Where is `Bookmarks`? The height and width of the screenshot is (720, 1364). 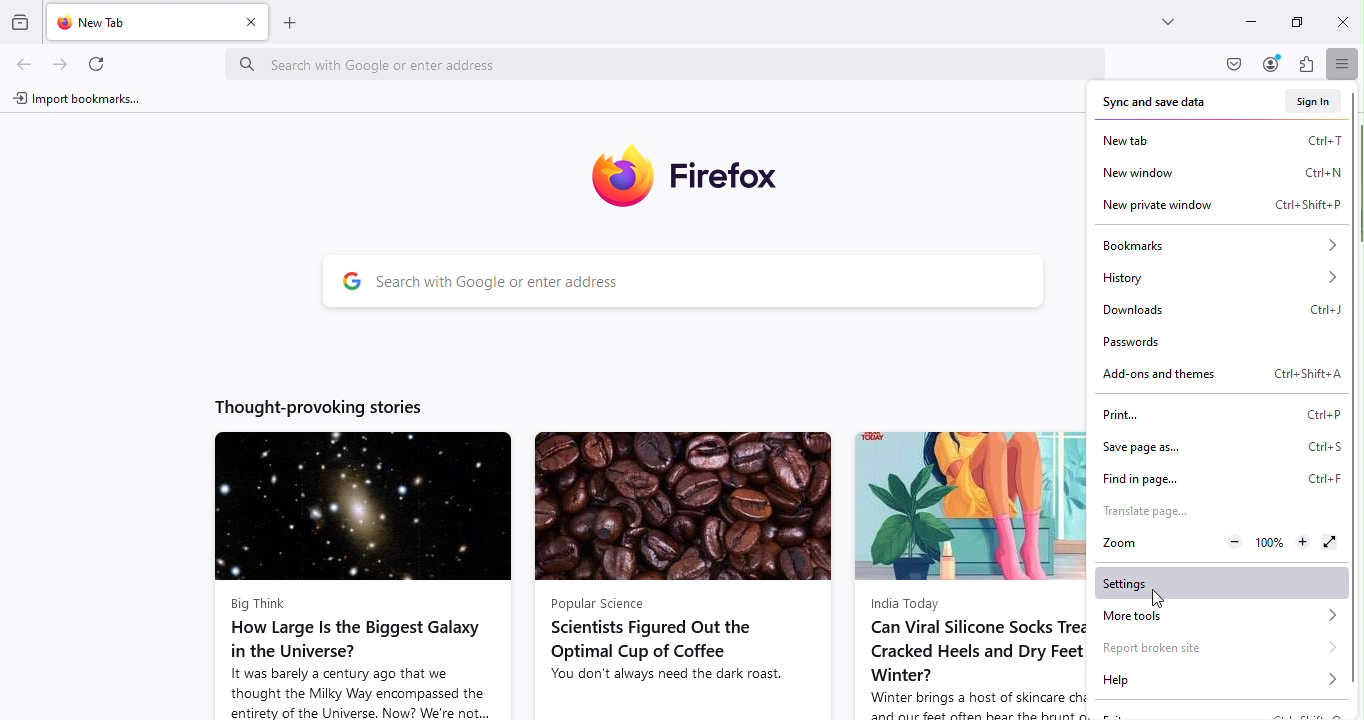 Bookmarks is located at coordinates (1215, 244).